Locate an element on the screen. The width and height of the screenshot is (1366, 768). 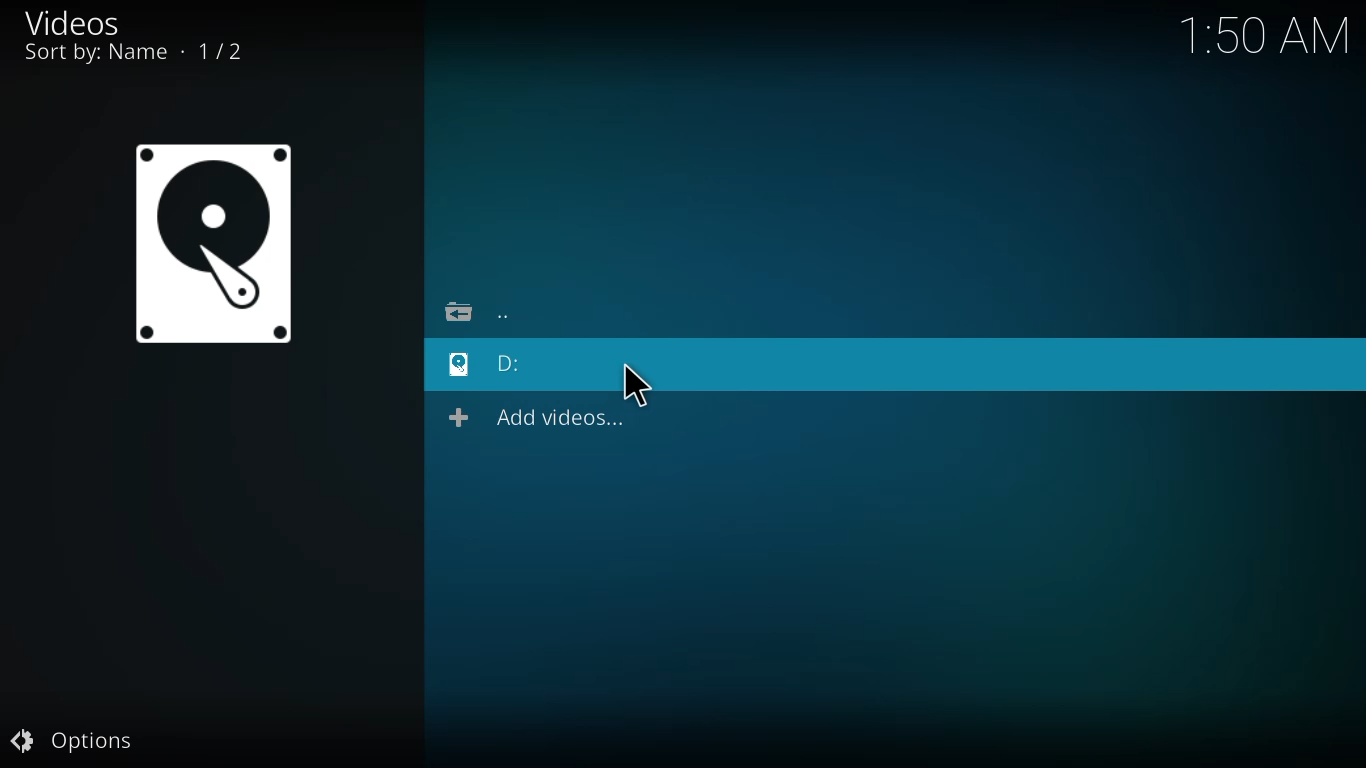
videos is located at coordinates (71, 21).